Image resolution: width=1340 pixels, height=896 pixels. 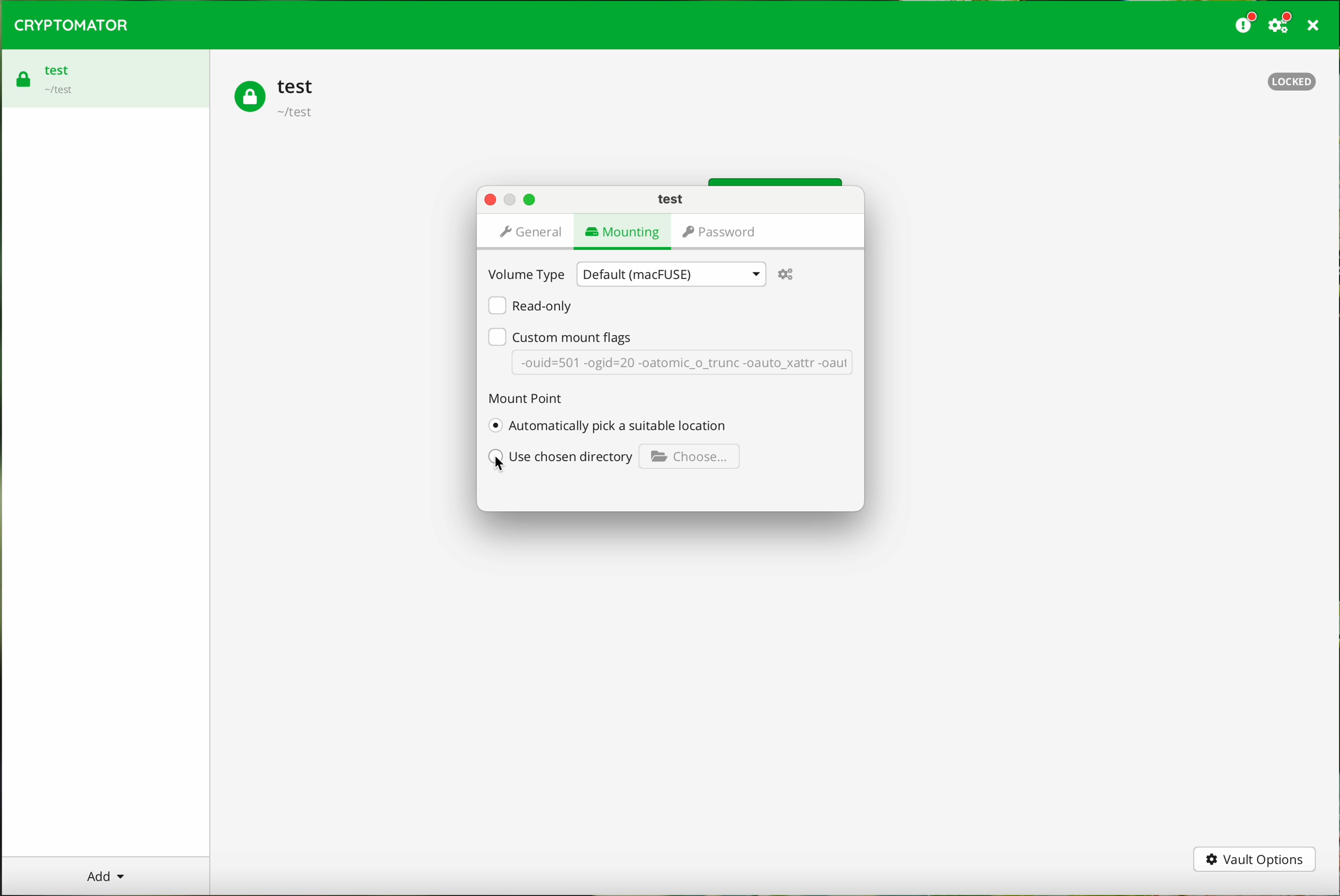 I want to click on test vault, so click(x=106, y=78).